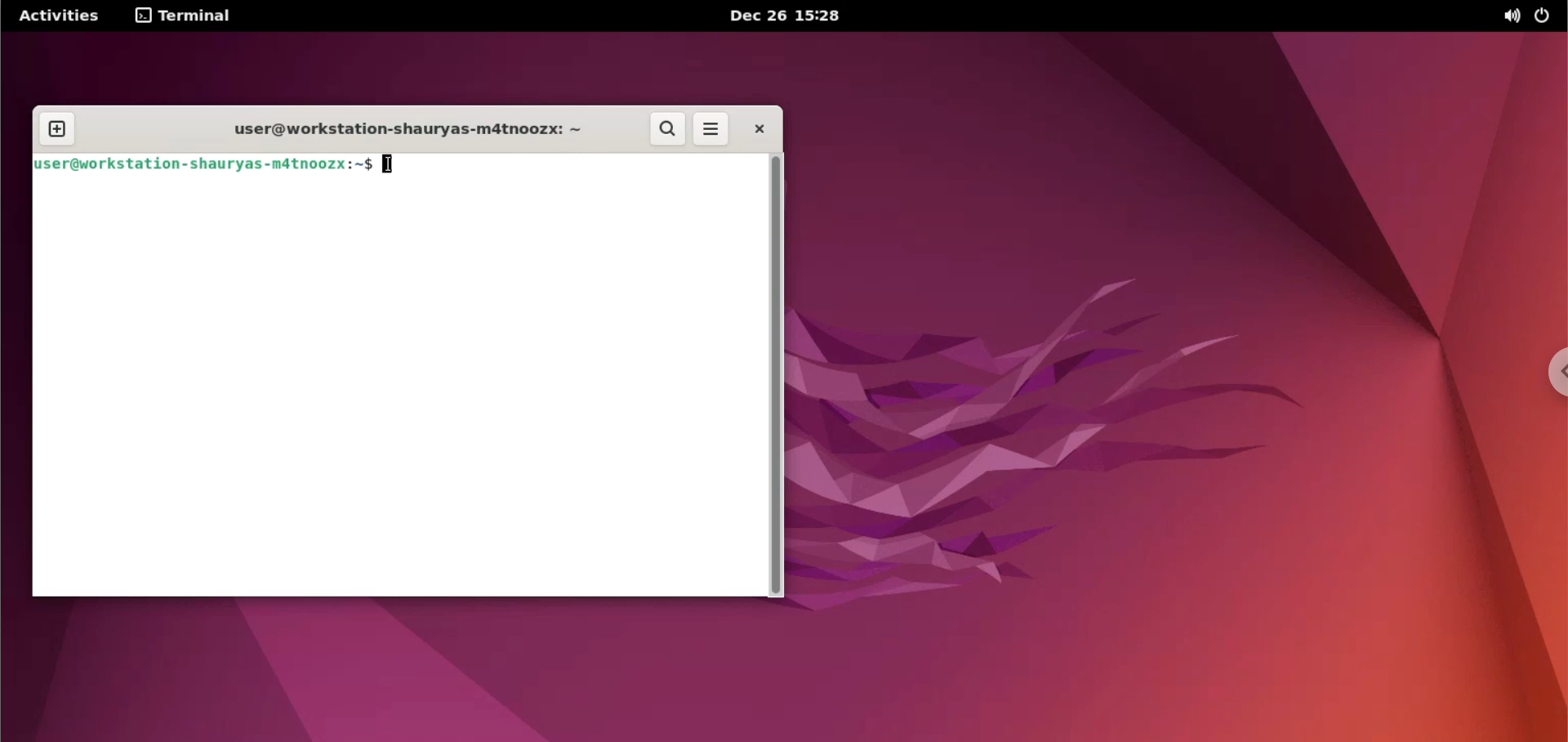 The image size is (1568, 742). Describe the element at coordinates (188, 17) in the screenshot. I see `terminal` at that location.